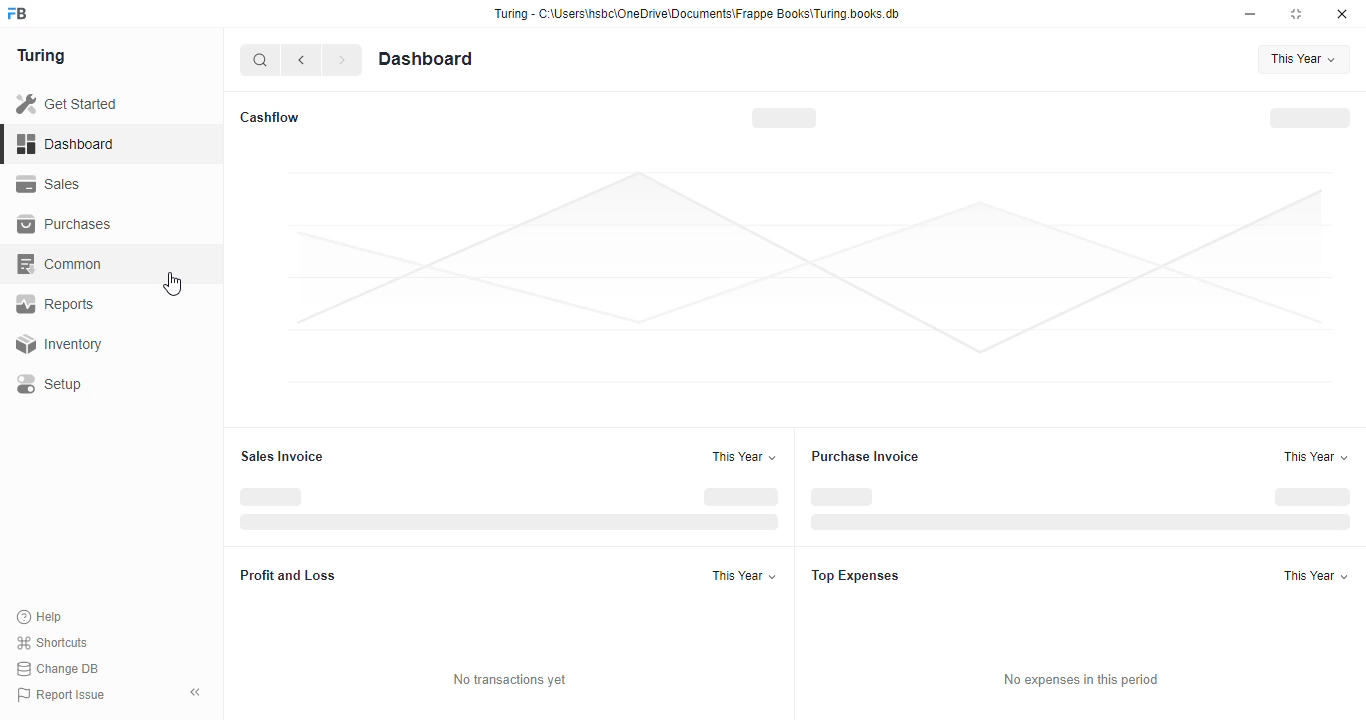  Describe the element at coordinates (744, 575) in the screenshot. I see `this year` at that location.